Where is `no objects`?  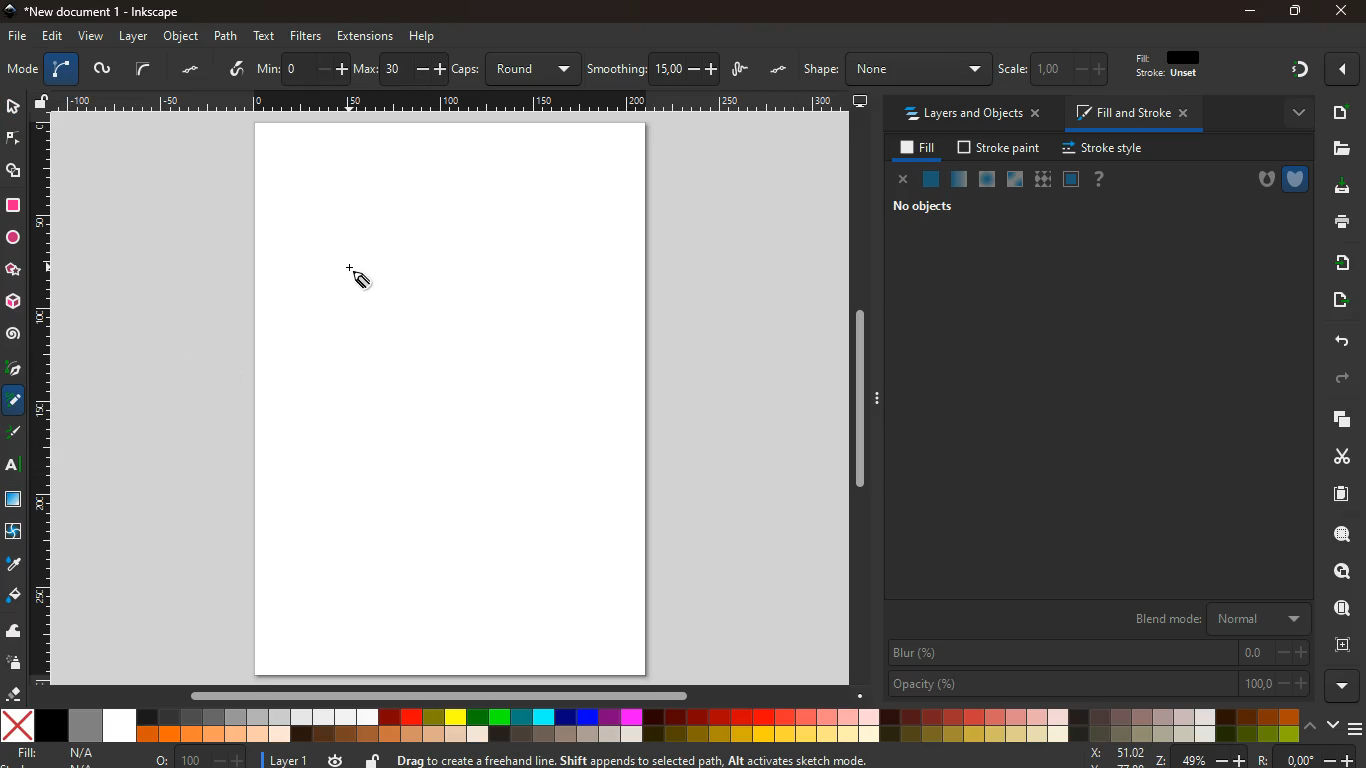 no objects is located at coordinates (923, 206).